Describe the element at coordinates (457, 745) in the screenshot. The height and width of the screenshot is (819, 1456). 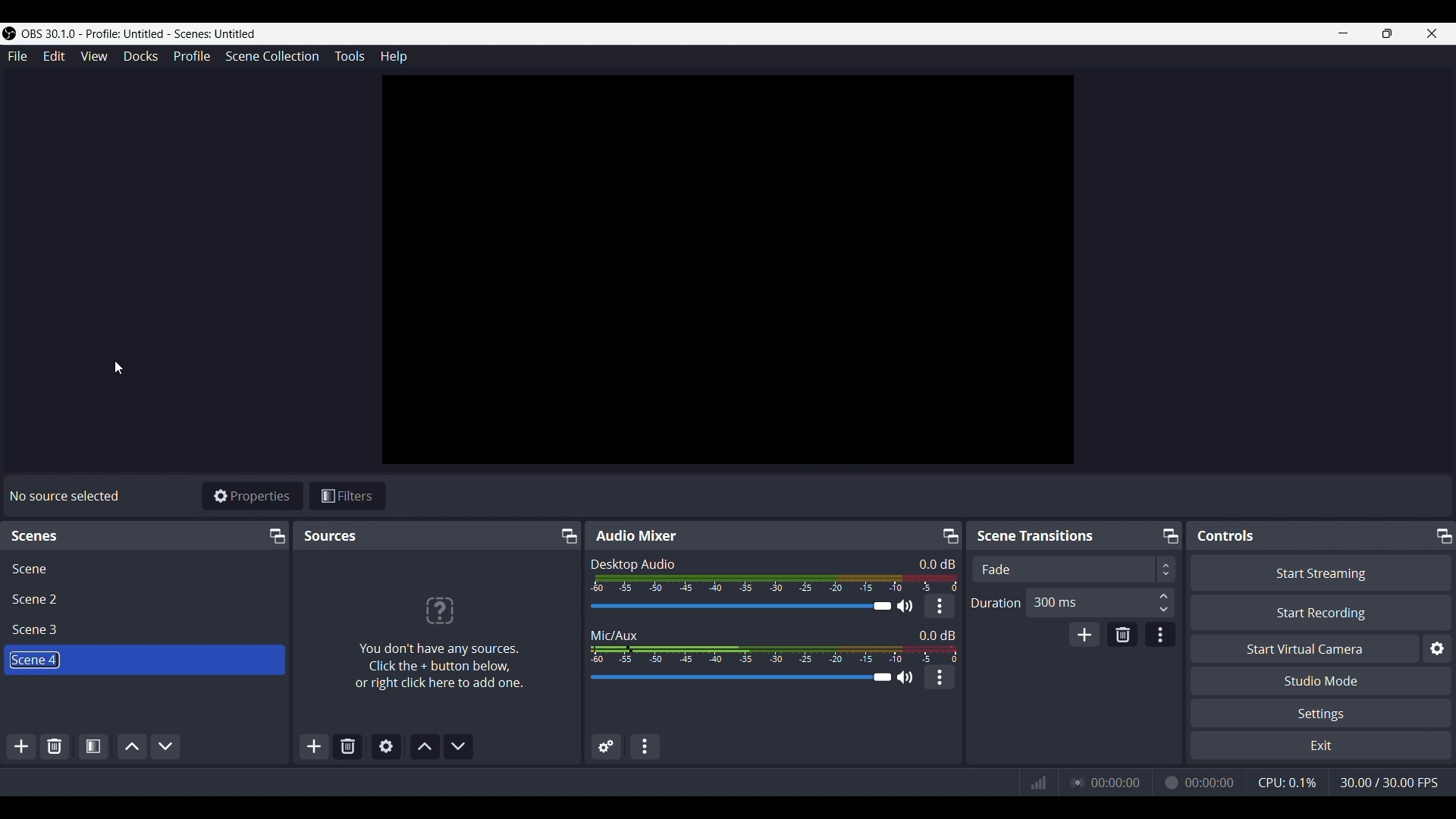
I see `Move source(s) down` at that location.